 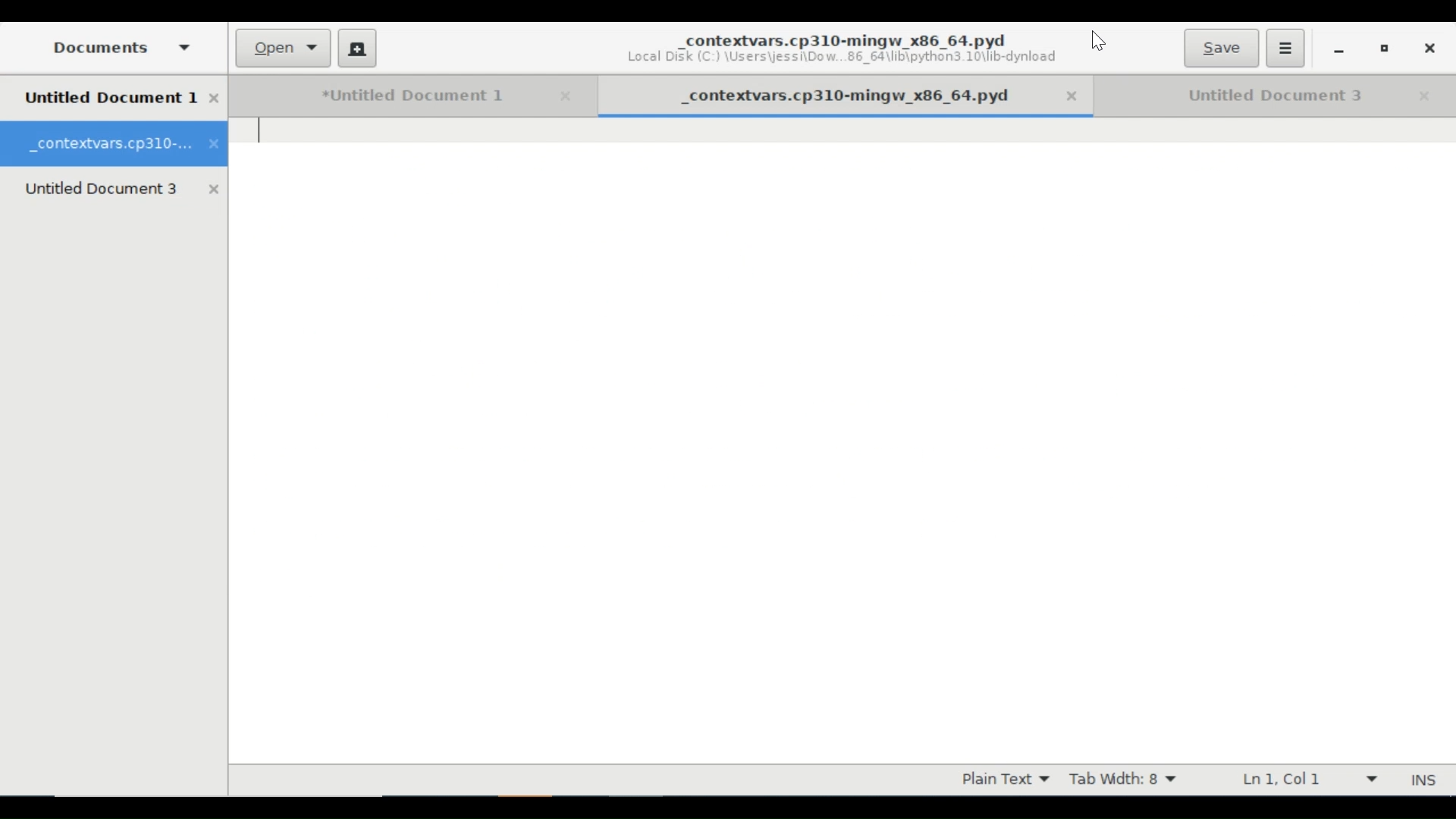 I want to click on Untitled Document Tab, so click(x=1255, y=96).